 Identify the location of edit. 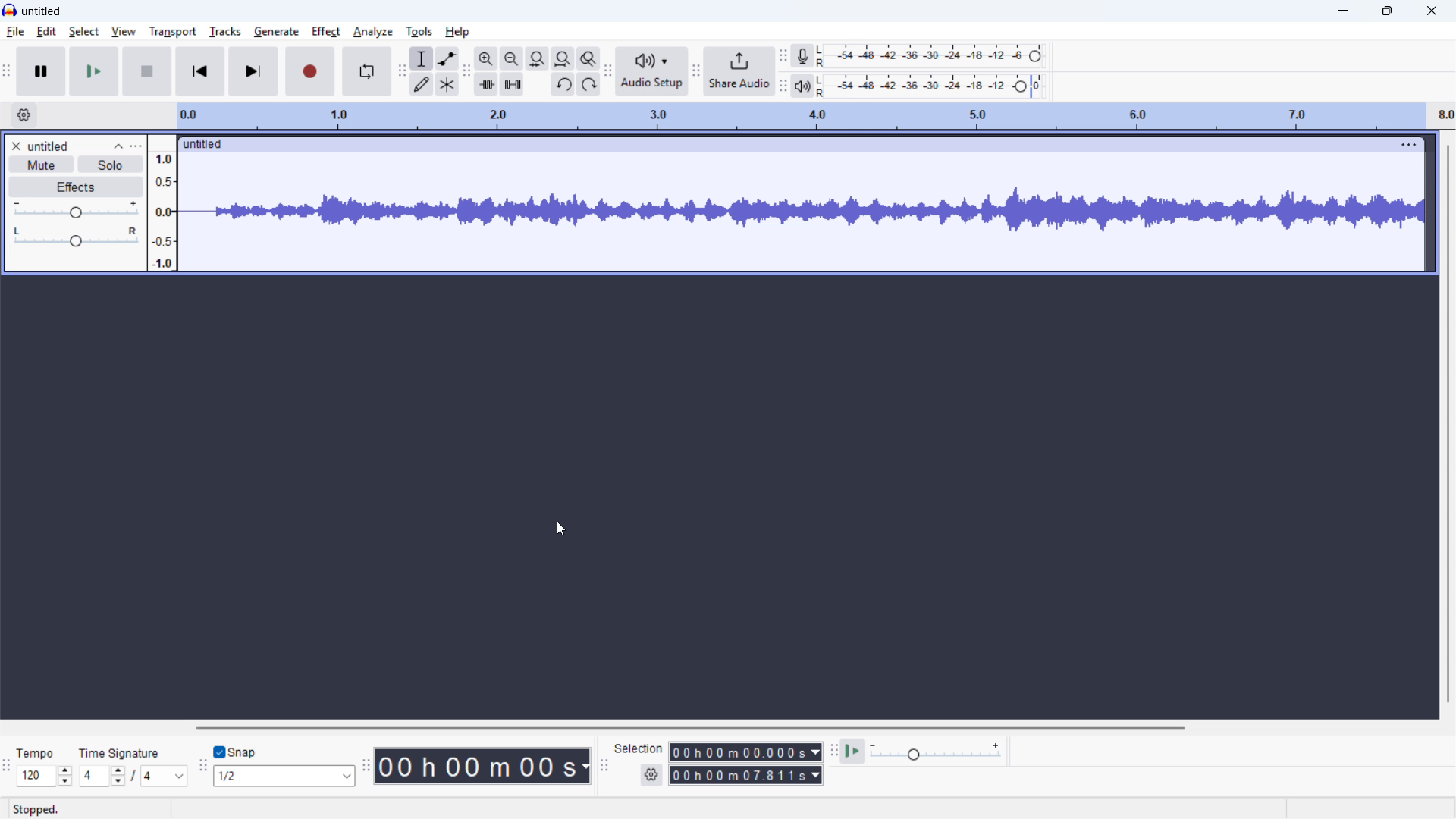
(46, 32).